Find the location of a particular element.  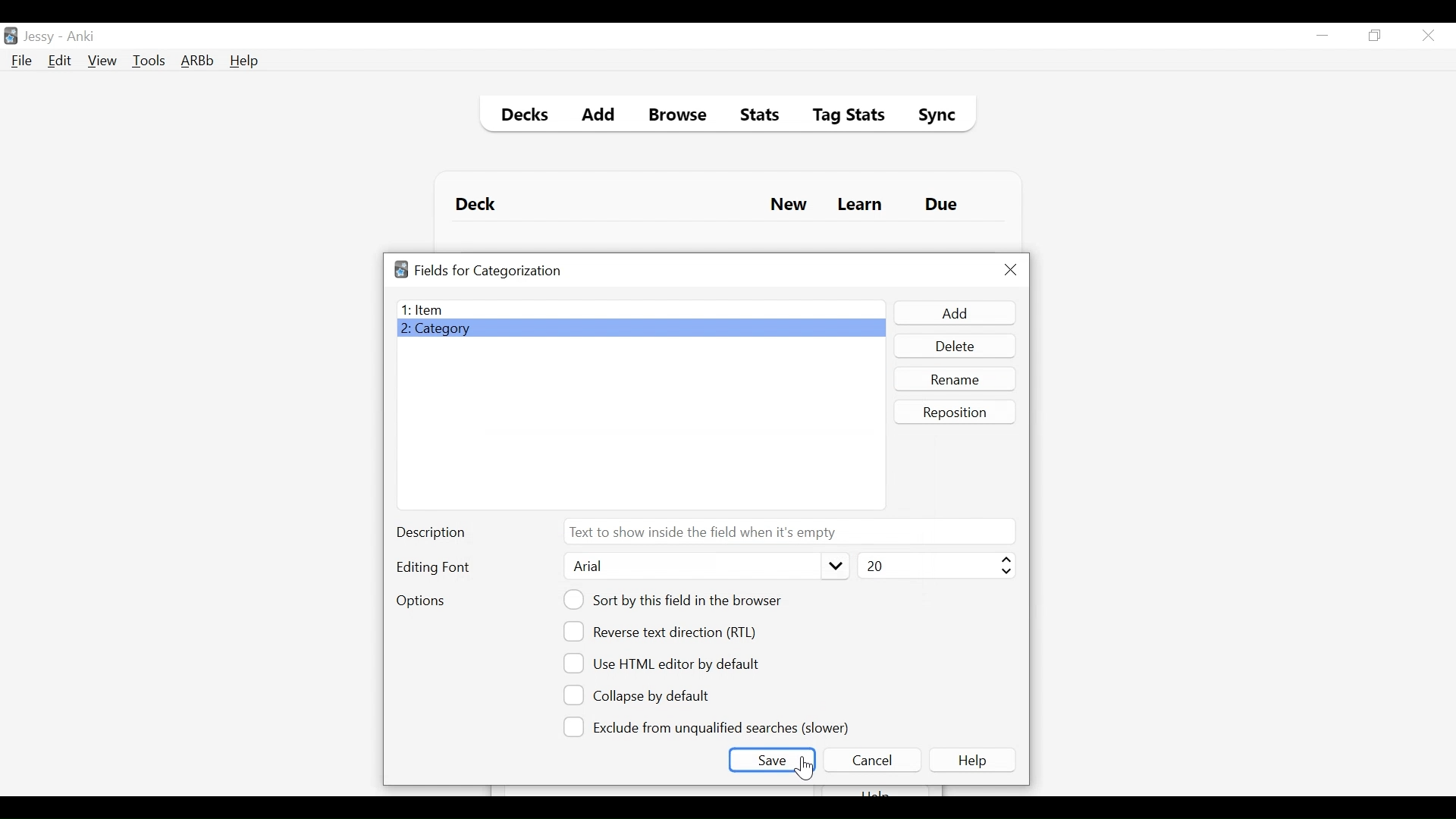

Editing Font is located at coordinates (435, 567).